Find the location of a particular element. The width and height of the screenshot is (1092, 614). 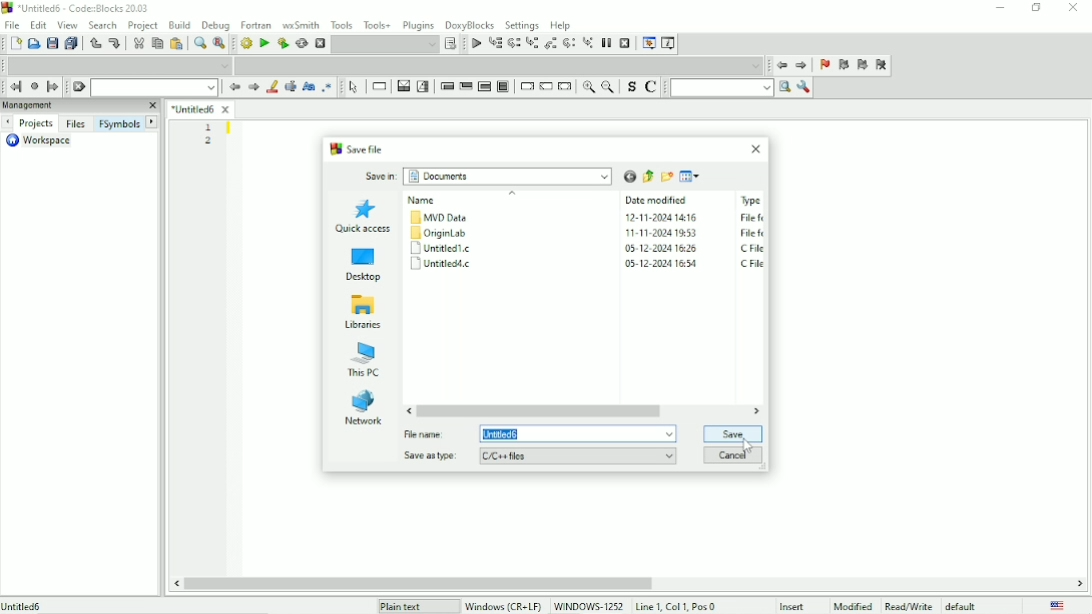

Various info is located at coordinates (670, 43).